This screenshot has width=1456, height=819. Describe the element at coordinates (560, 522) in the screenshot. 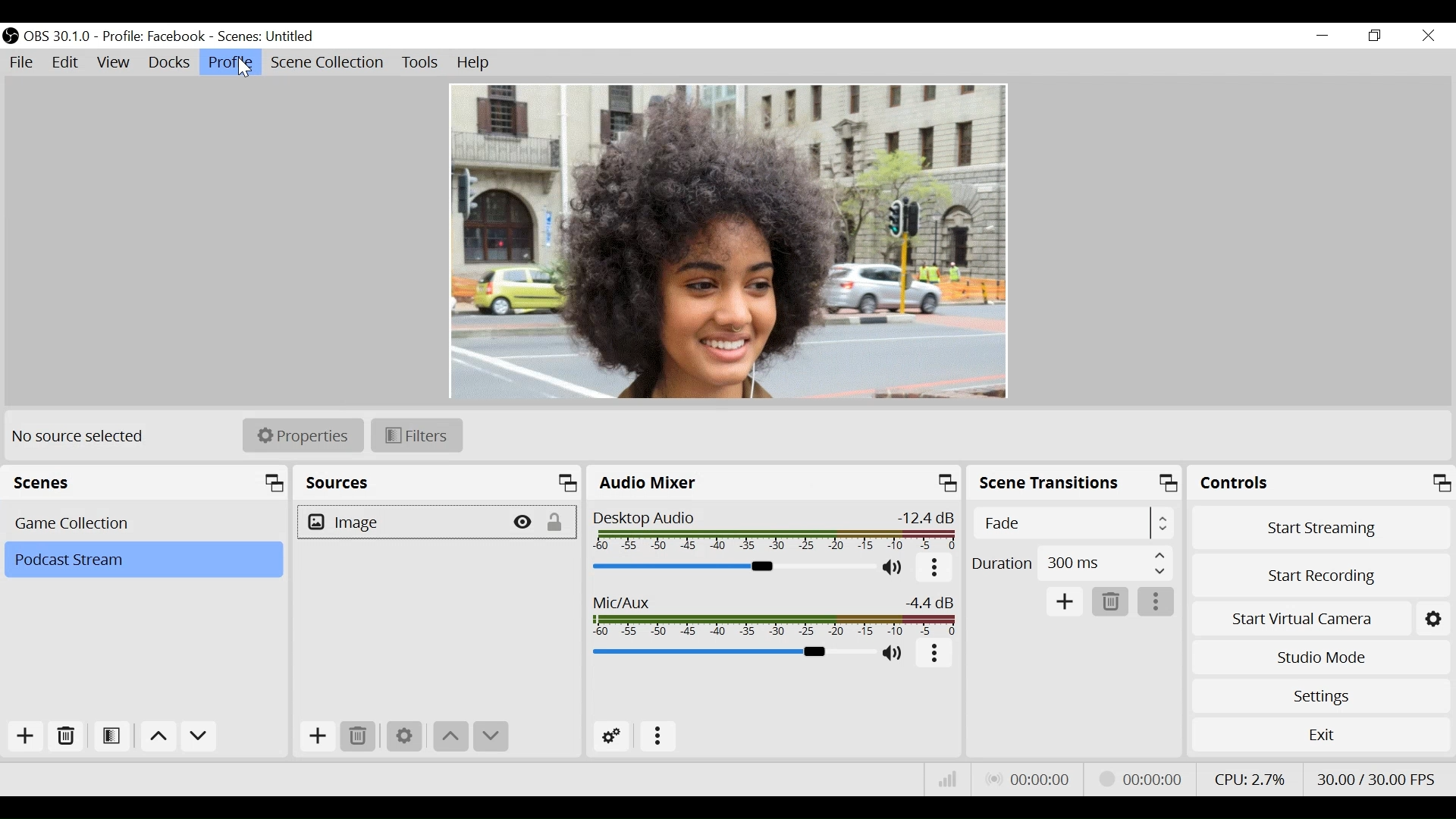

I see `(un)lock` at that location.